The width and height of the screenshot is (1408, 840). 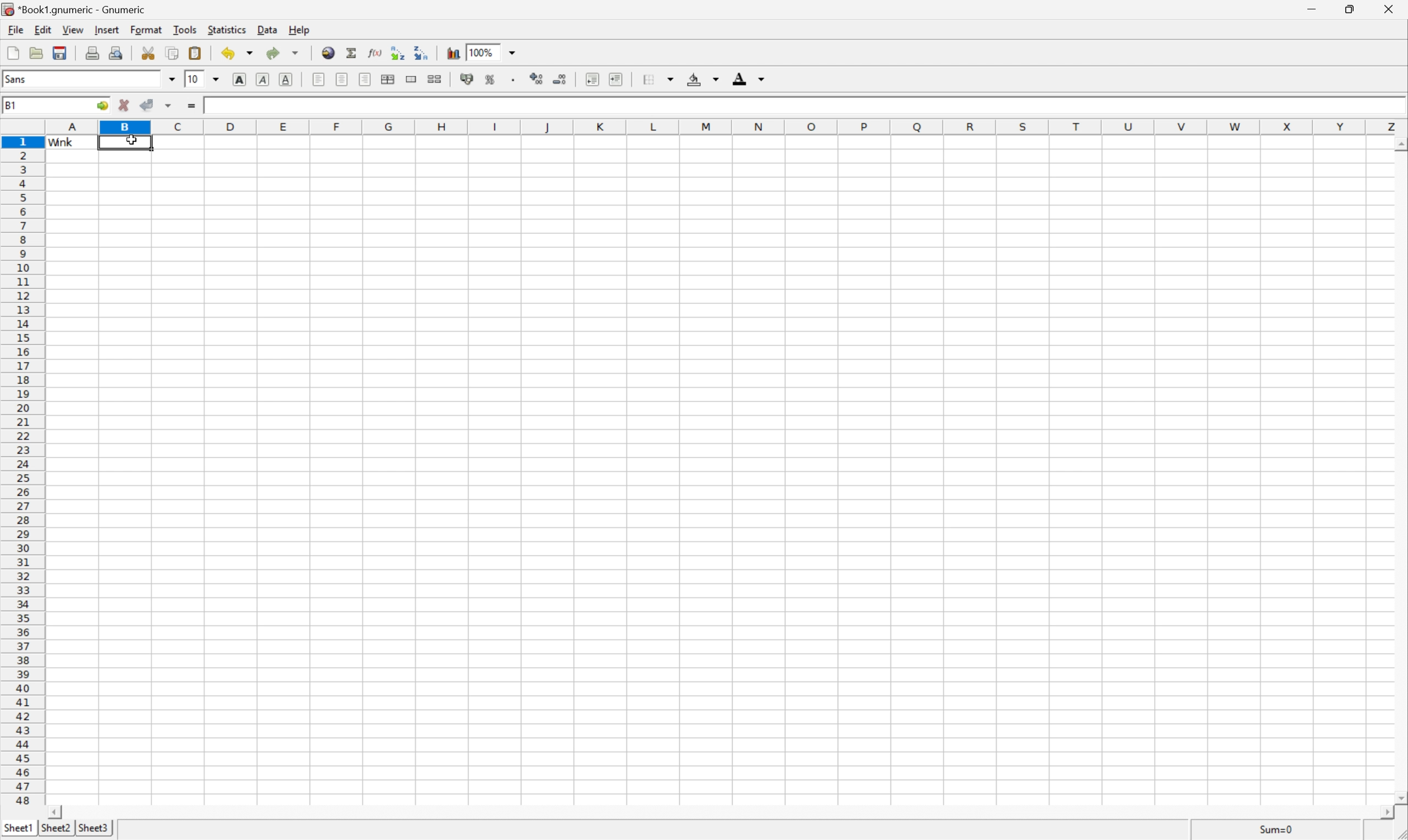 What do you see at coordinates (18, 826) in the screenshot?
I see `sheet1` at bounding box center [18, 826].